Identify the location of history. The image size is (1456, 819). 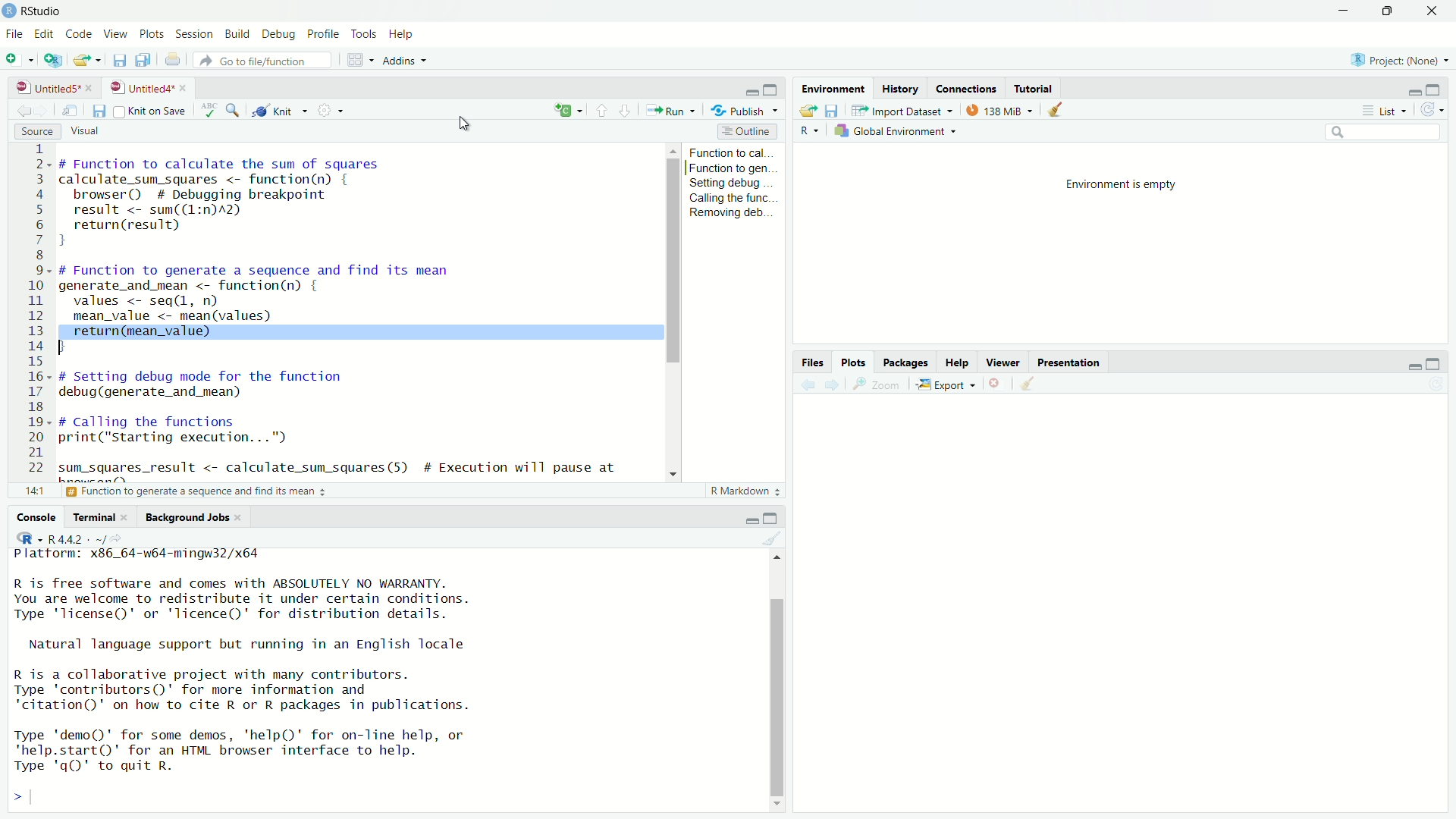
(898, 86).